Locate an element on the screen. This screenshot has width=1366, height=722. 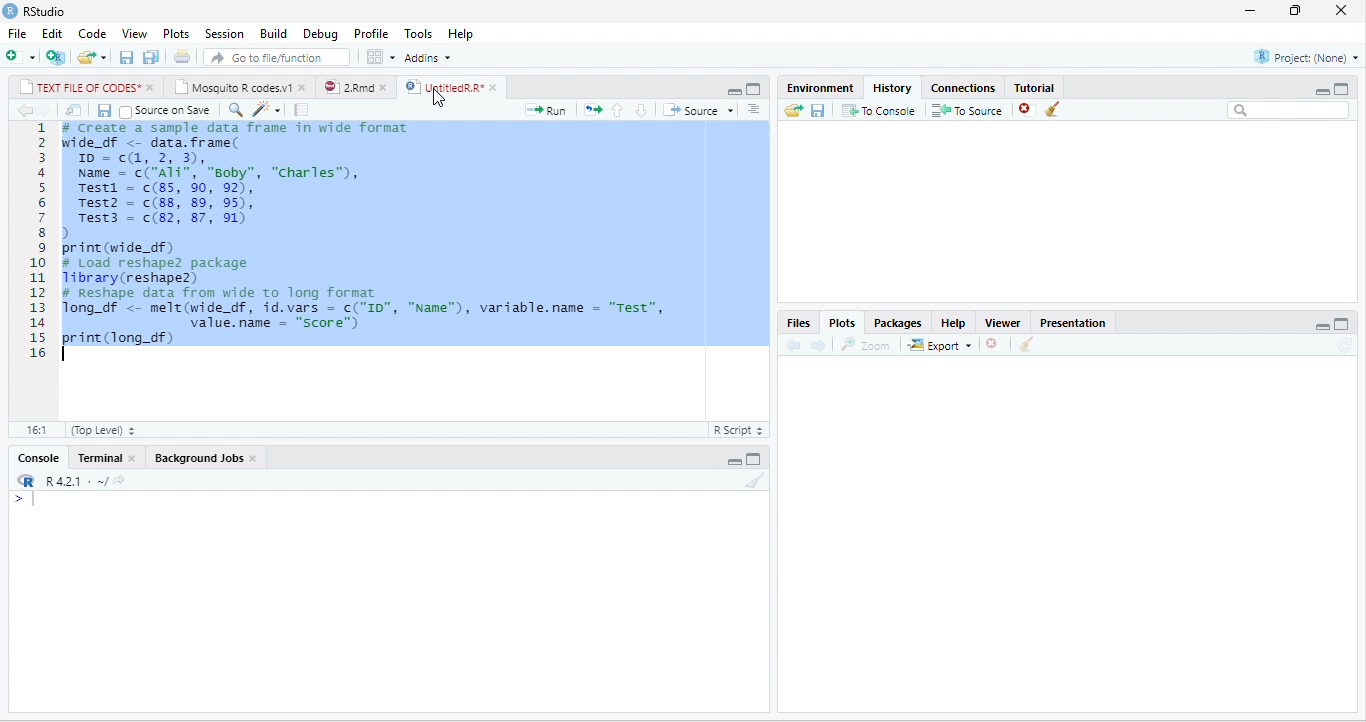
back is located at coordinates (794, 346).